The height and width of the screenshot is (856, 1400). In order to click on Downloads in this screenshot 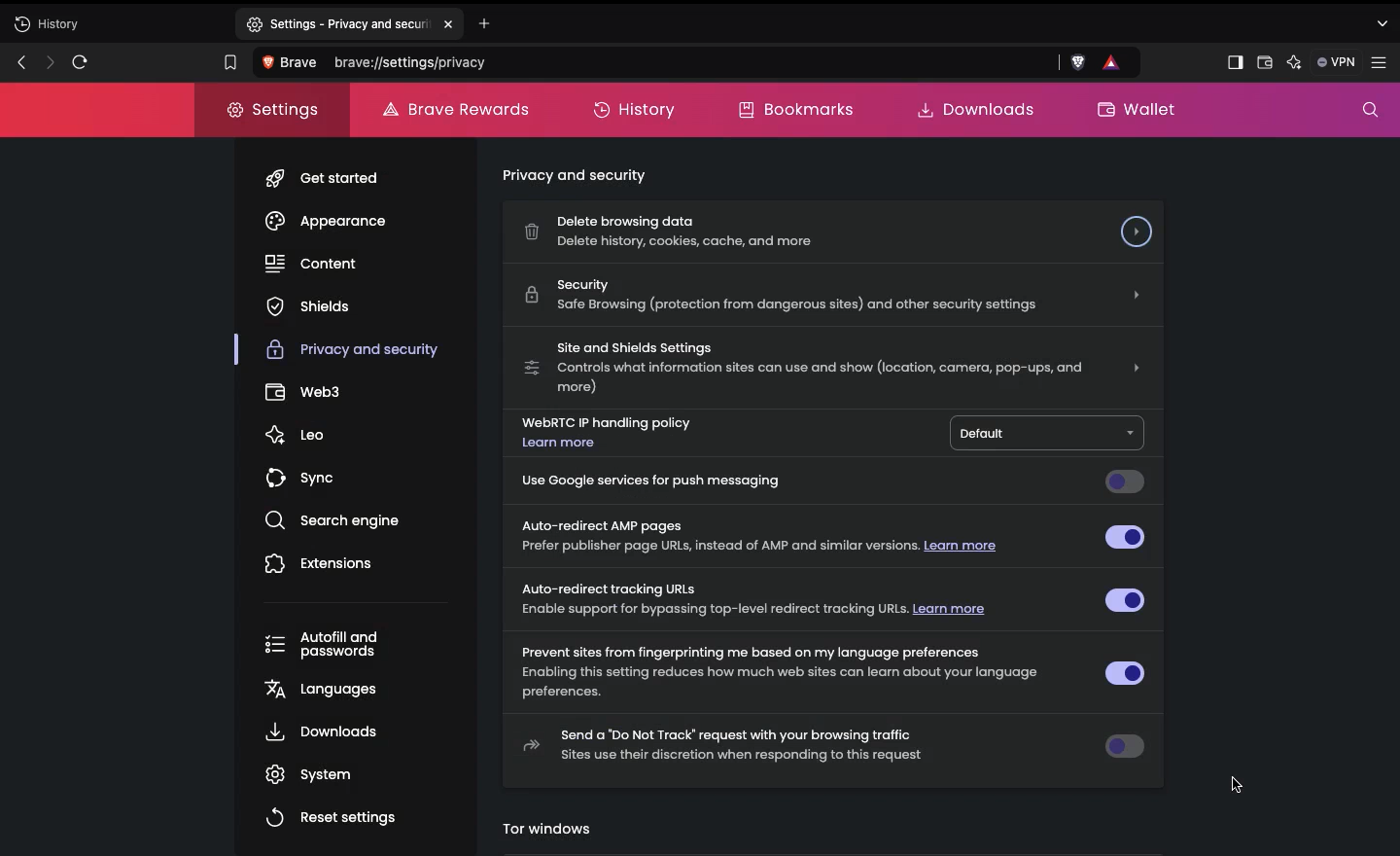, I will do `click(320, 734)`.